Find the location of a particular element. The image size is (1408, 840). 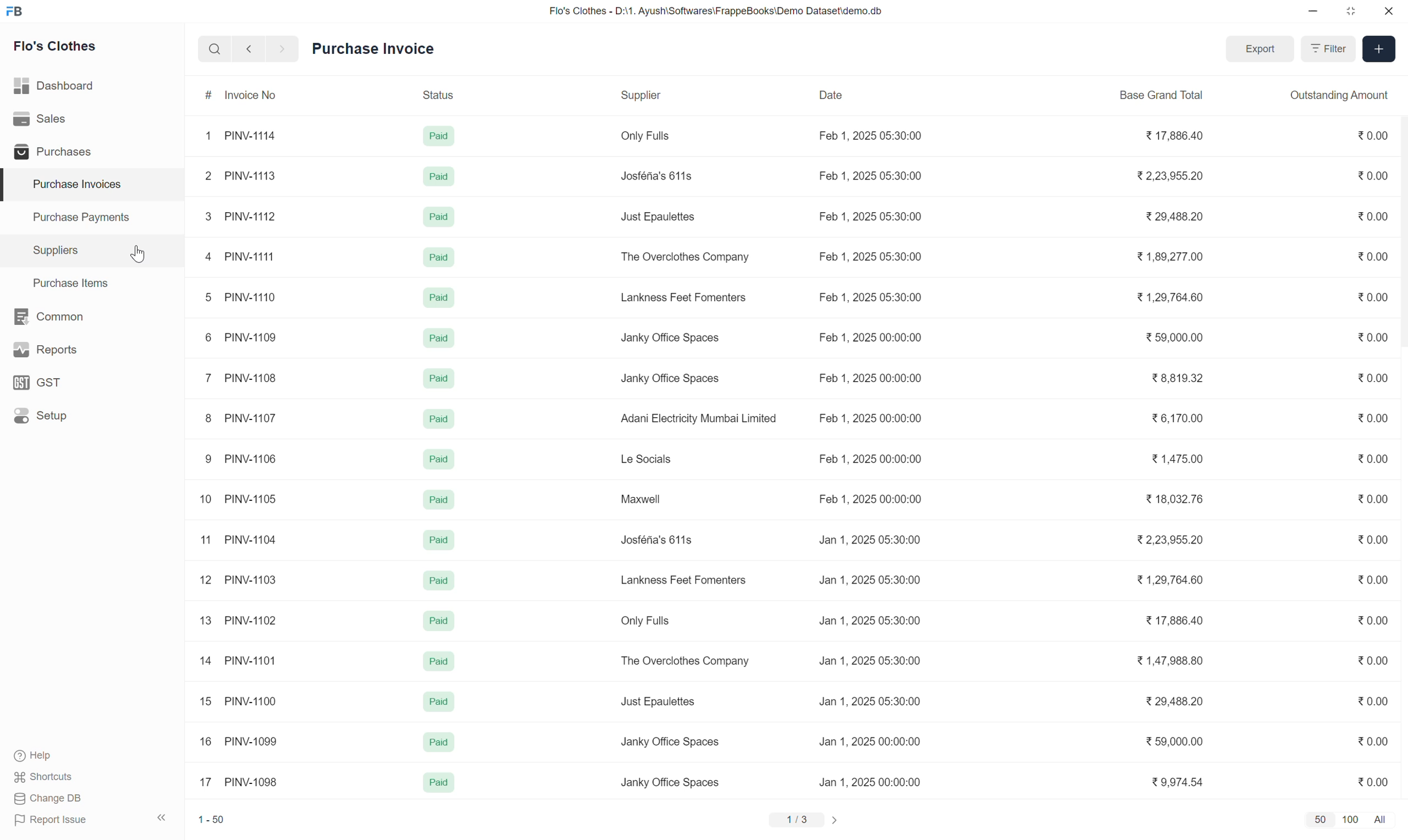

50 is located at coordinates (1321, 820).